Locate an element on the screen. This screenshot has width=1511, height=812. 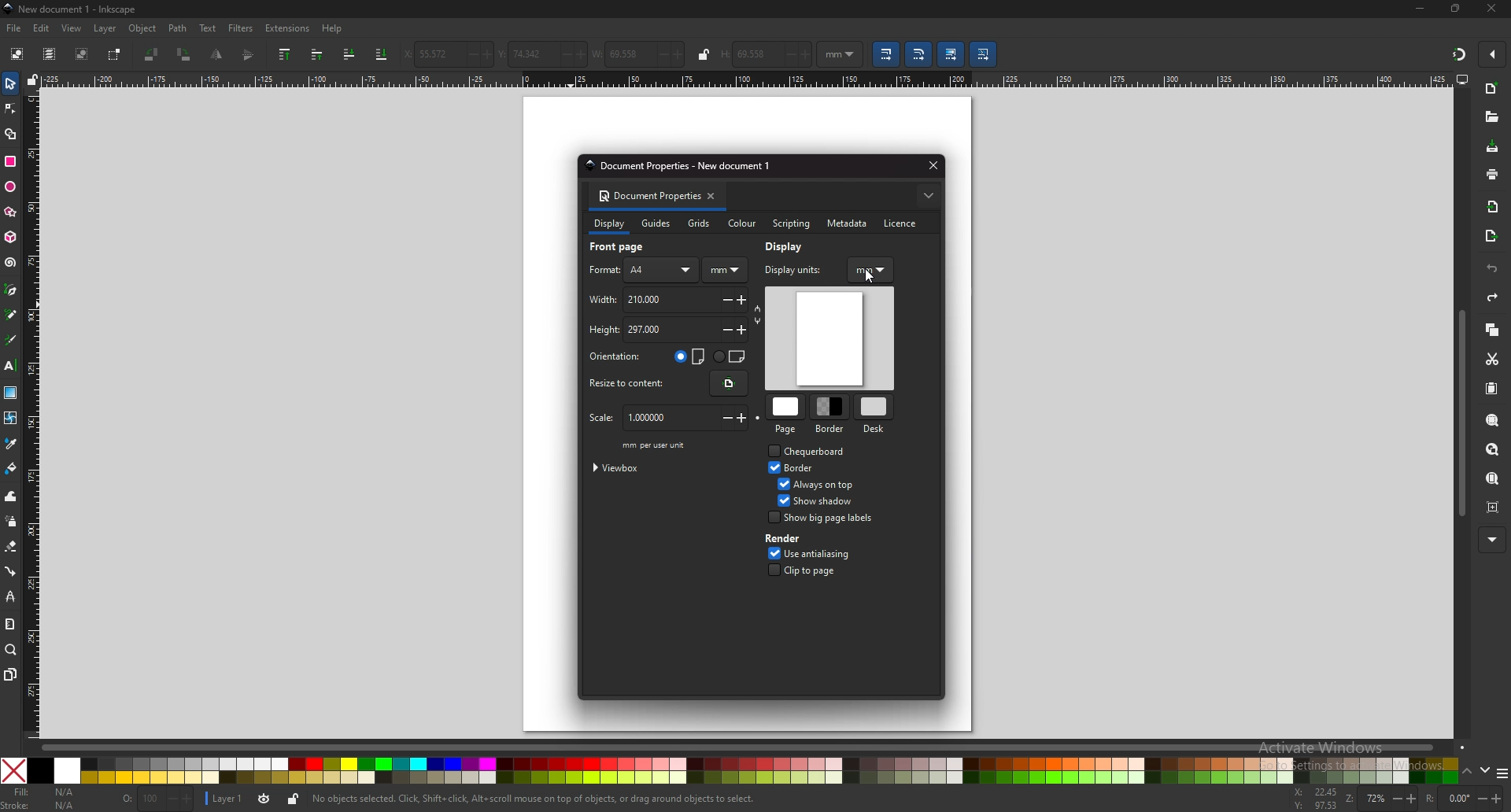
format is located at coordinates (604, 270).